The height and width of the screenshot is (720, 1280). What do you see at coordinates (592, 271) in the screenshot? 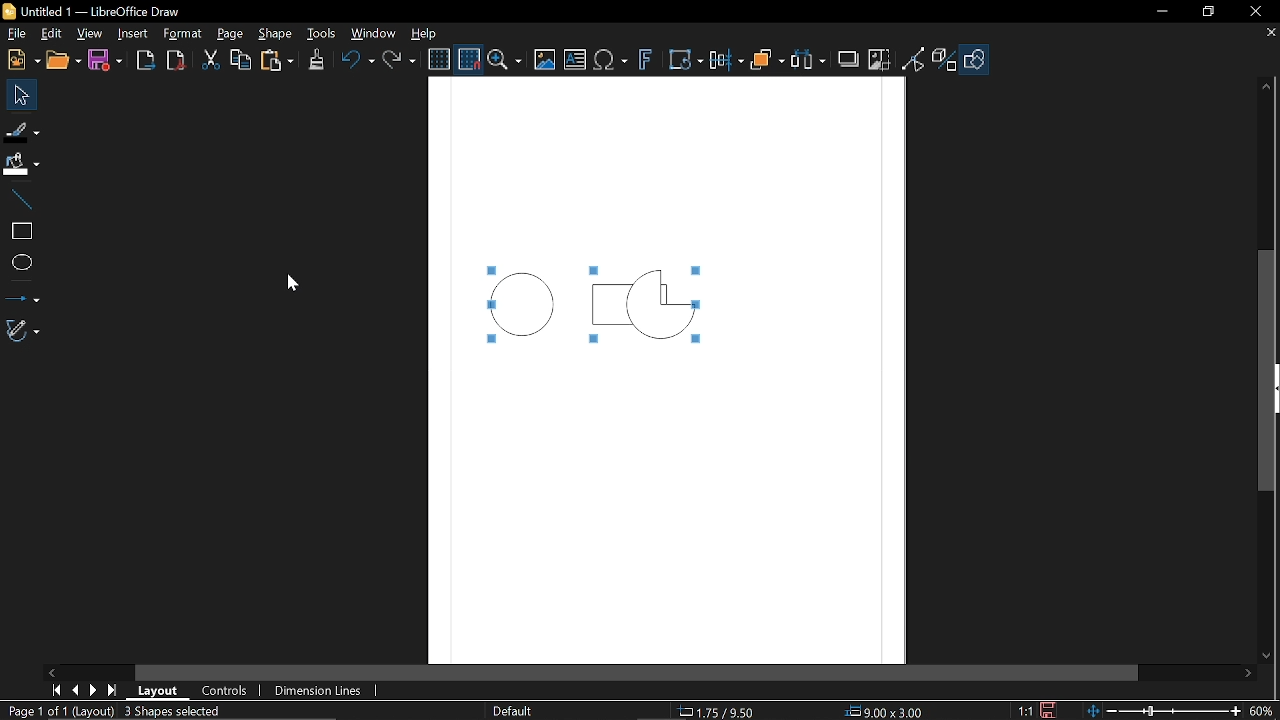
I see `Tiny square marked around the selected objects` at bounding box center [592, 271].